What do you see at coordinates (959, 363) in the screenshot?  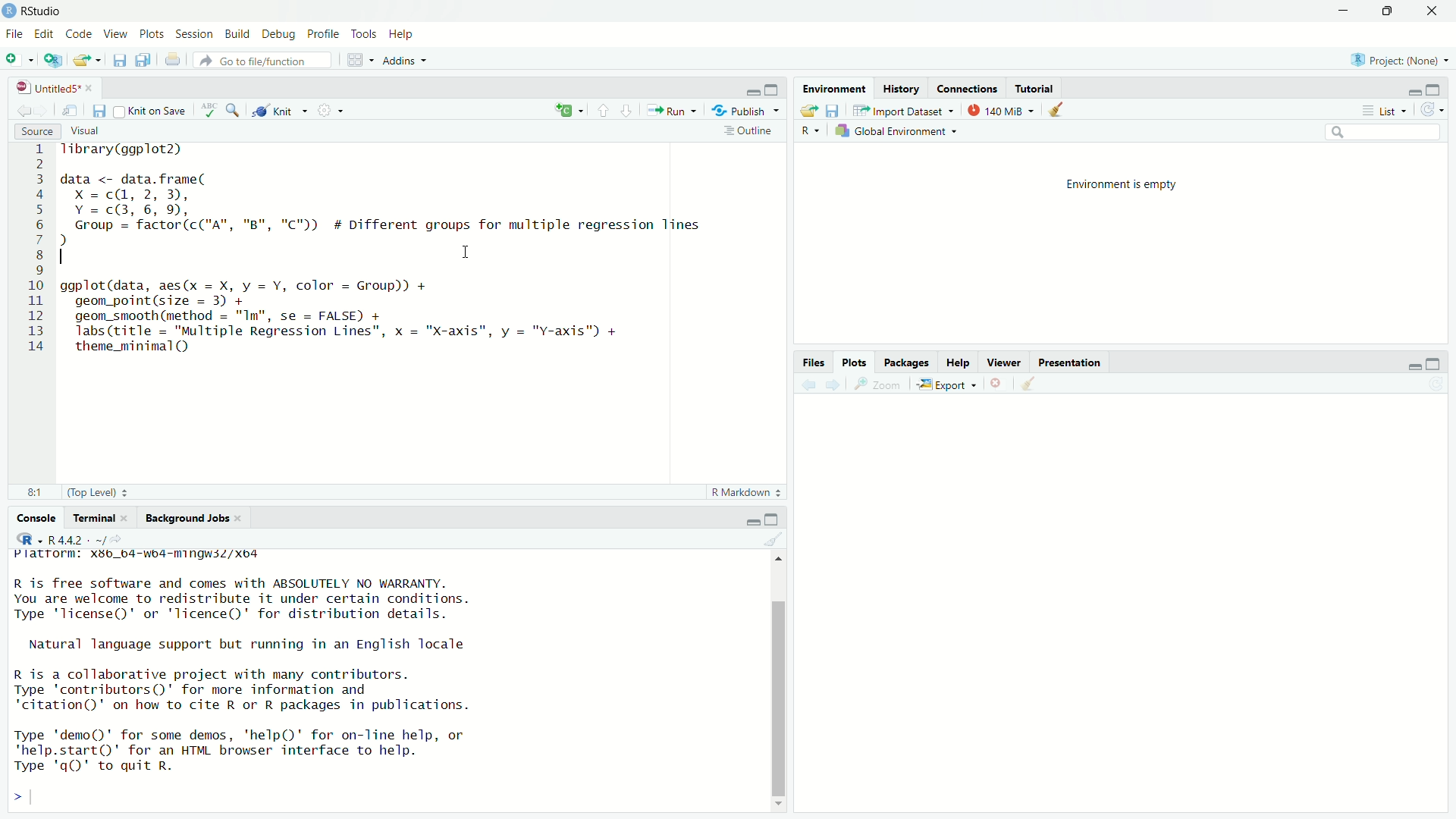 I see `Help` at bounding box center [959, 363].